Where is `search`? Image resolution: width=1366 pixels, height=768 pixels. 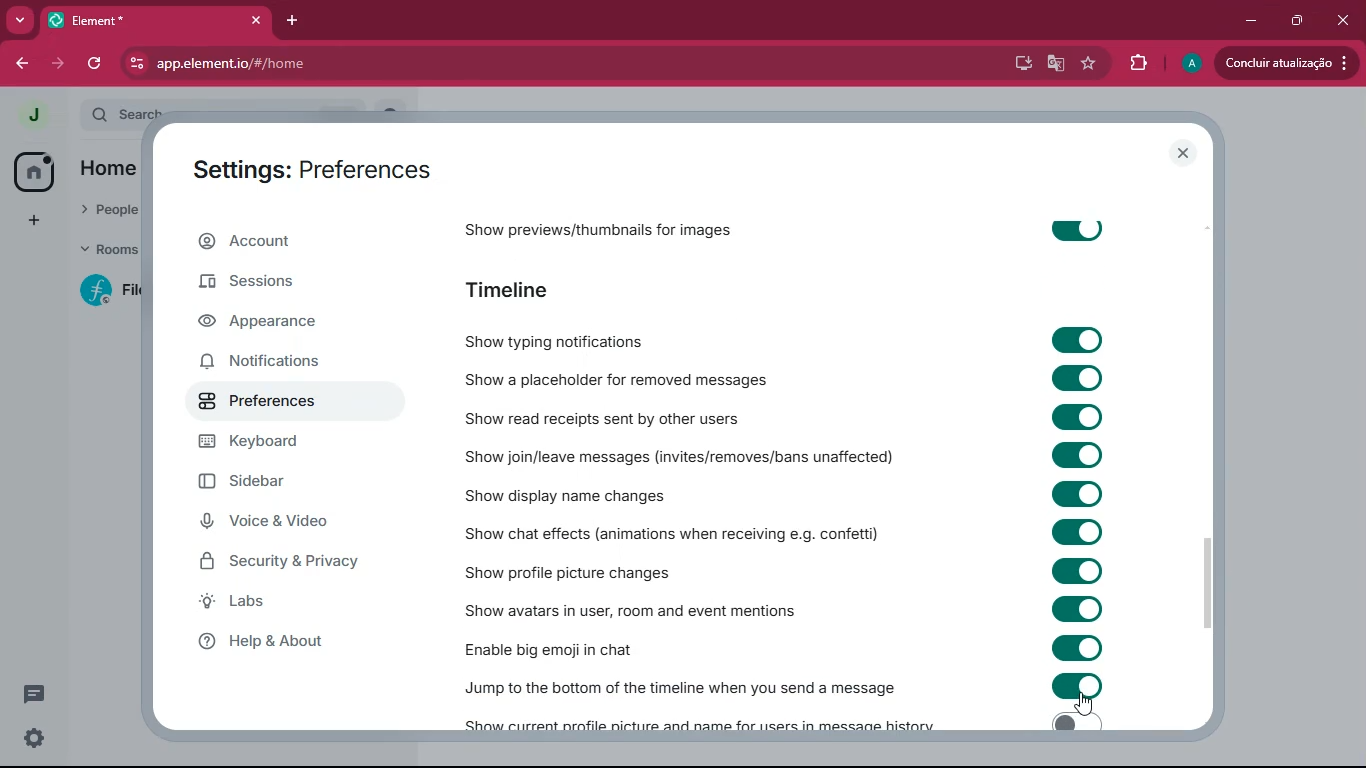 search is located at coordinates (133, 110).